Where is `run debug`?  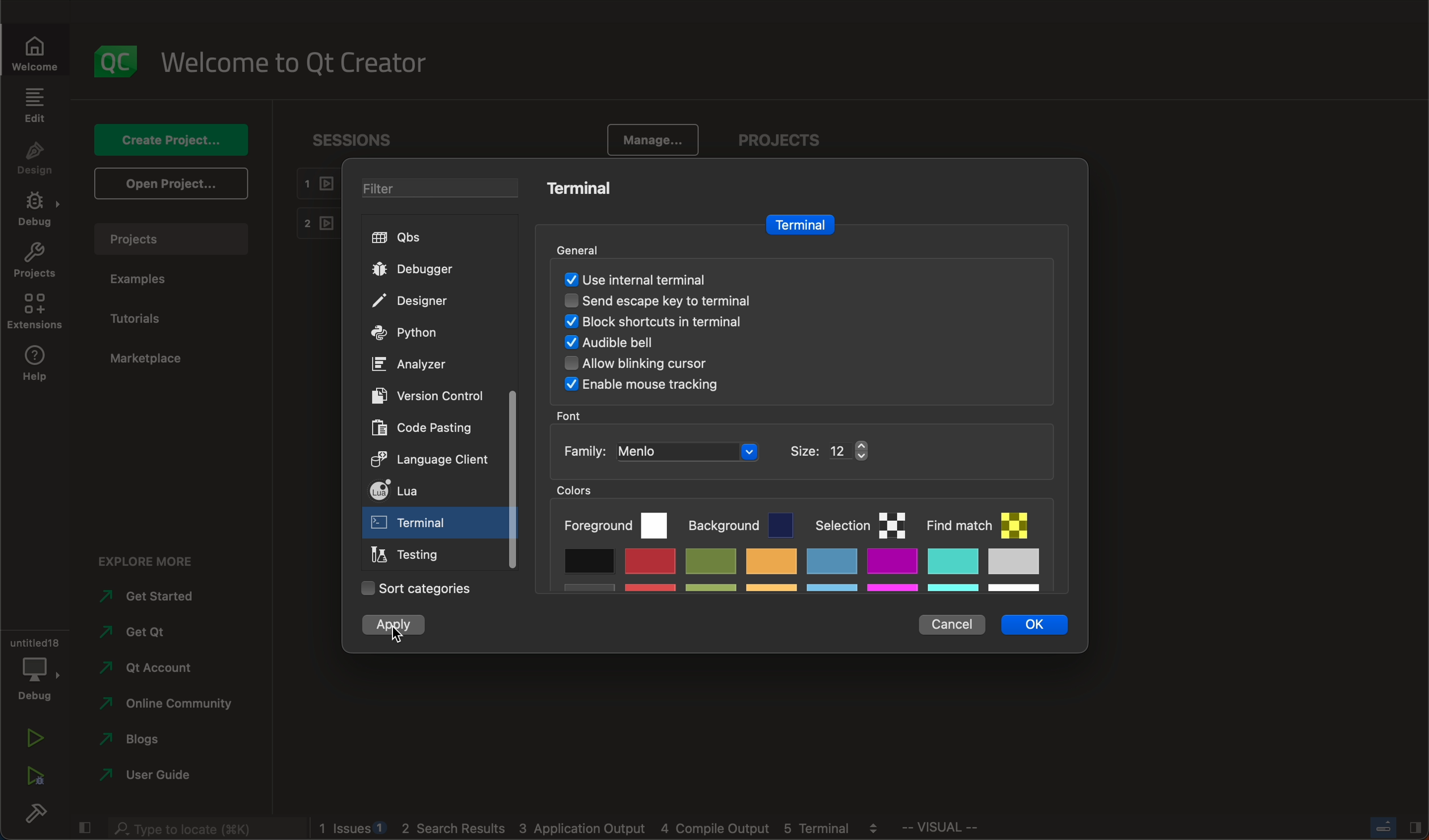
run debug is located at coordinates (33, 780).